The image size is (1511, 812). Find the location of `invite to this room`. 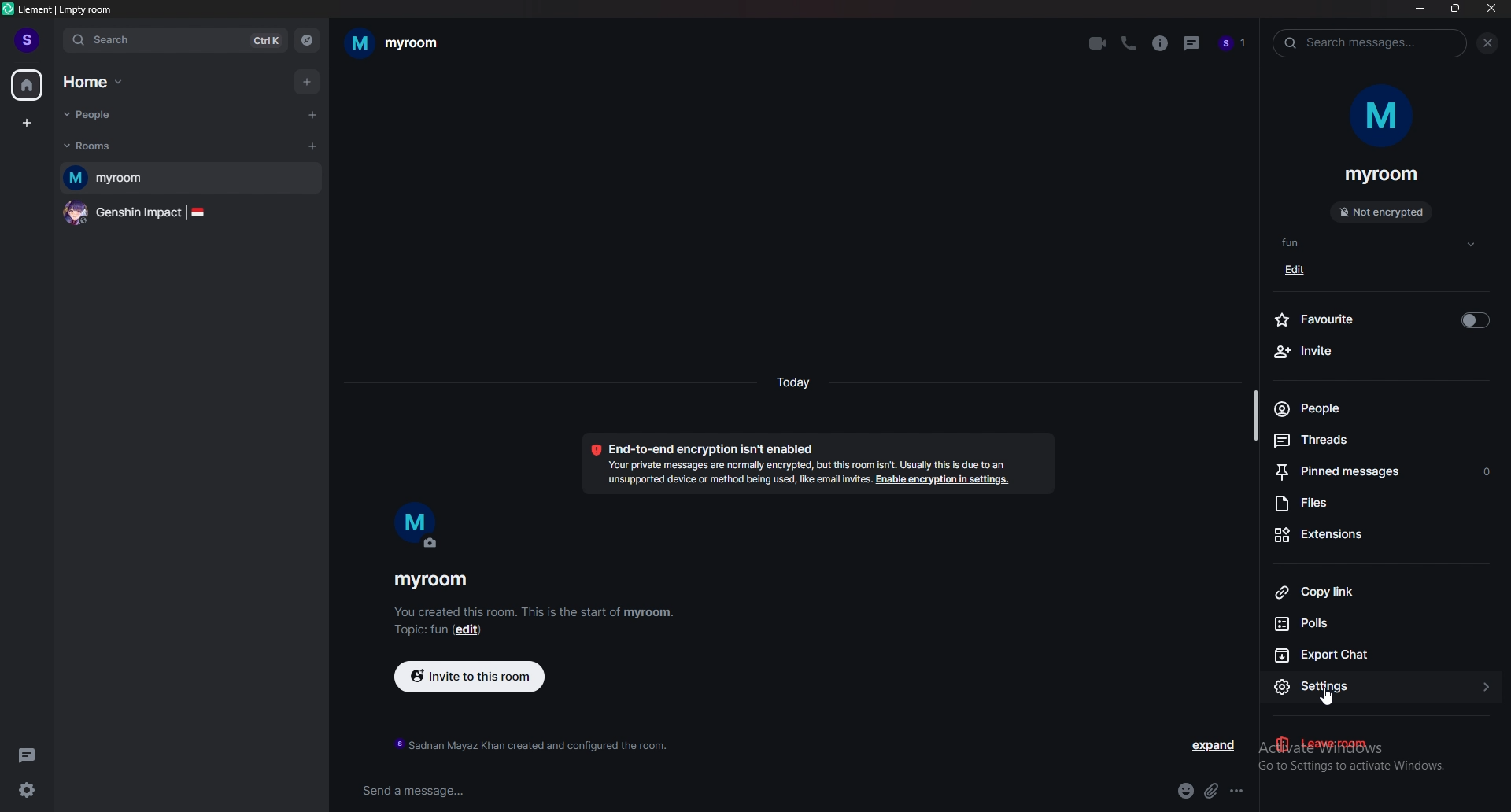

invite to this room is located at coordinates (468, 675).